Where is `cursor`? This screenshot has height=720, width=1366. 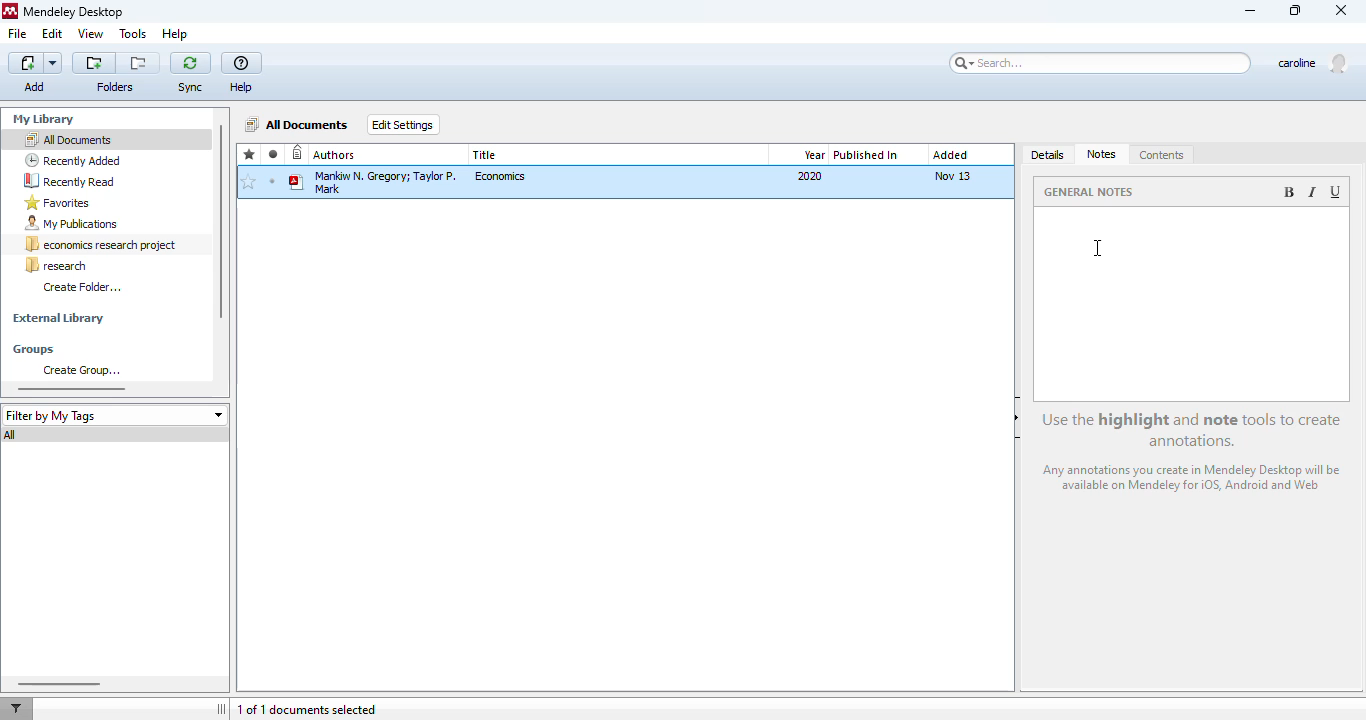 cursor is located at coordinates (1096, 248).